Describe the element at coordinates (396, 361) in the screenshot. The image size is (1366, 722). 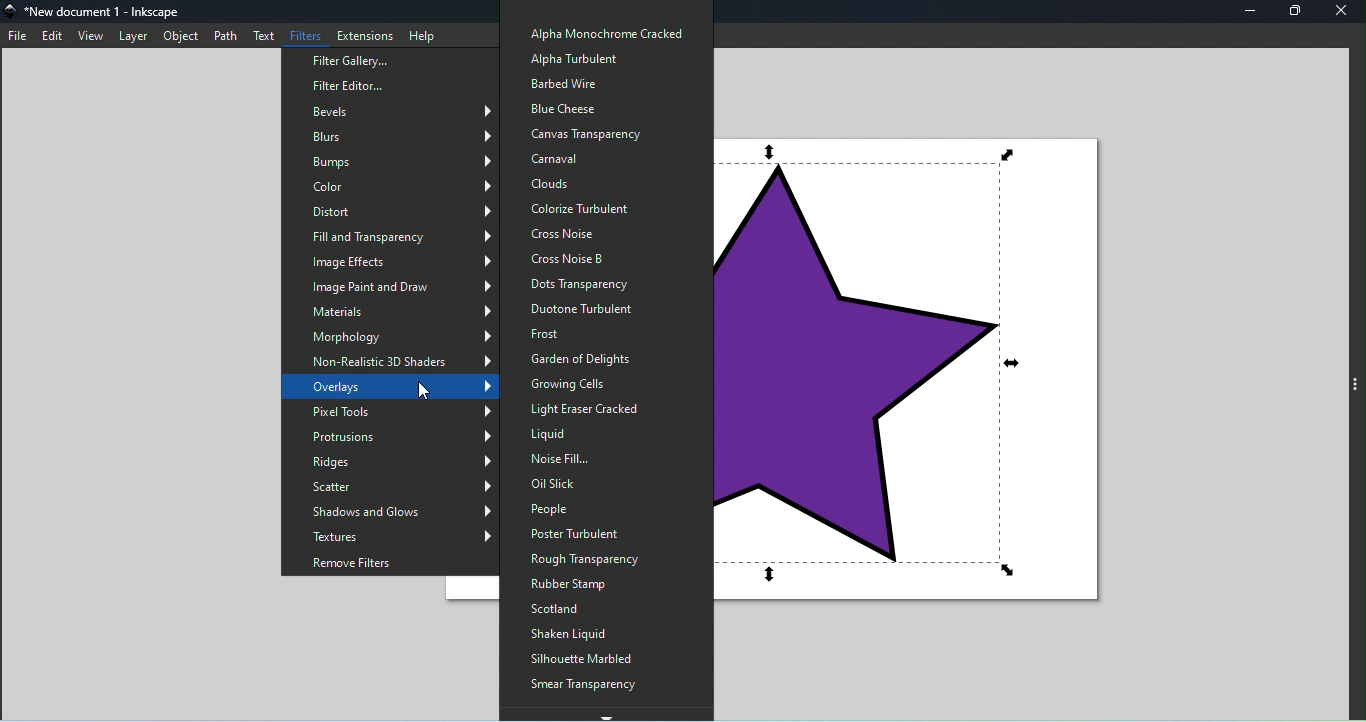
I see `Non realistic 3D shades` at that location.